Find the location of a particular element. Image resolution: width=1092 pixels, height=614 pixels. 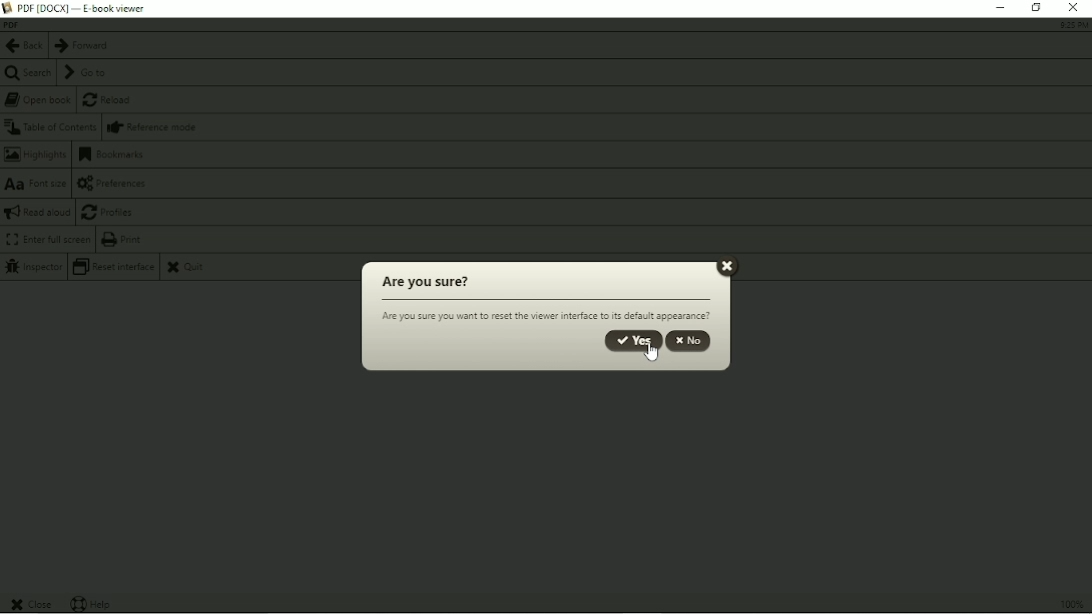

Reload is located at coordinates (109, 101).